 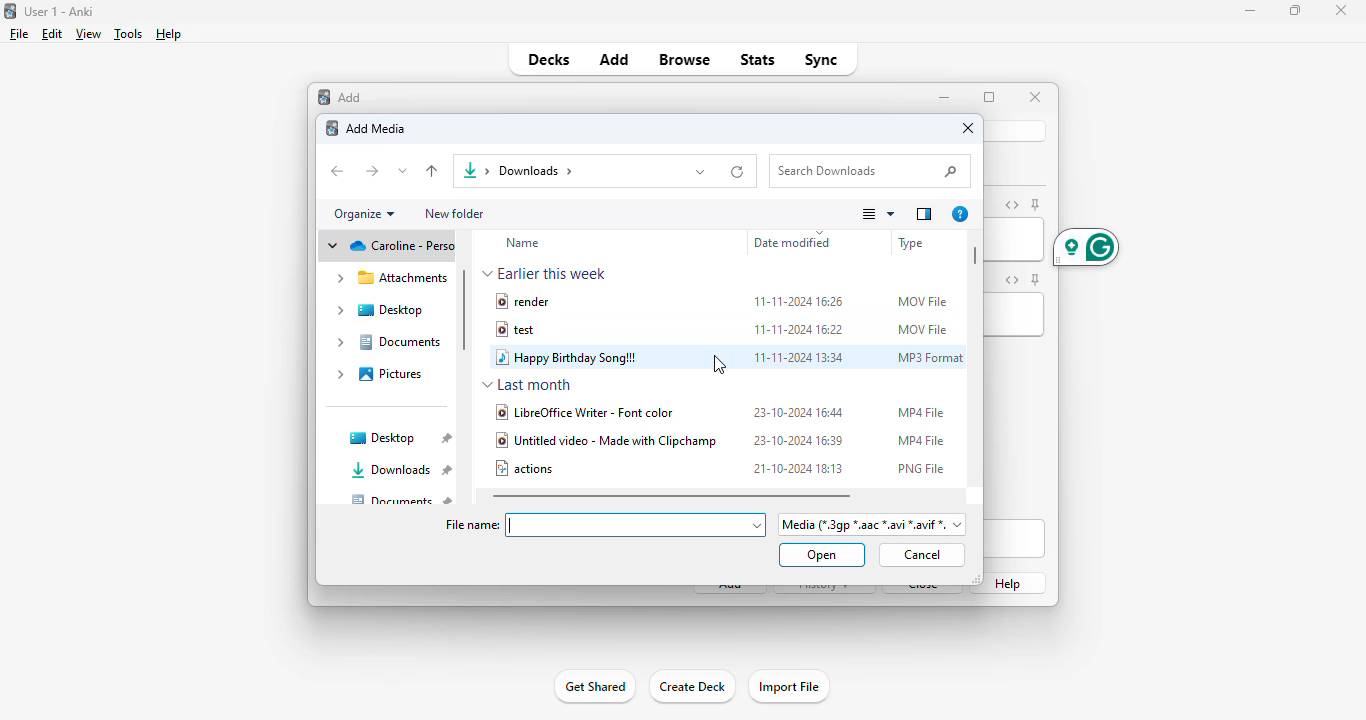 What do you see at coordinates (801, 357) in the screenshot?
I see `11-11-2024` at bounding box center [801, 357].